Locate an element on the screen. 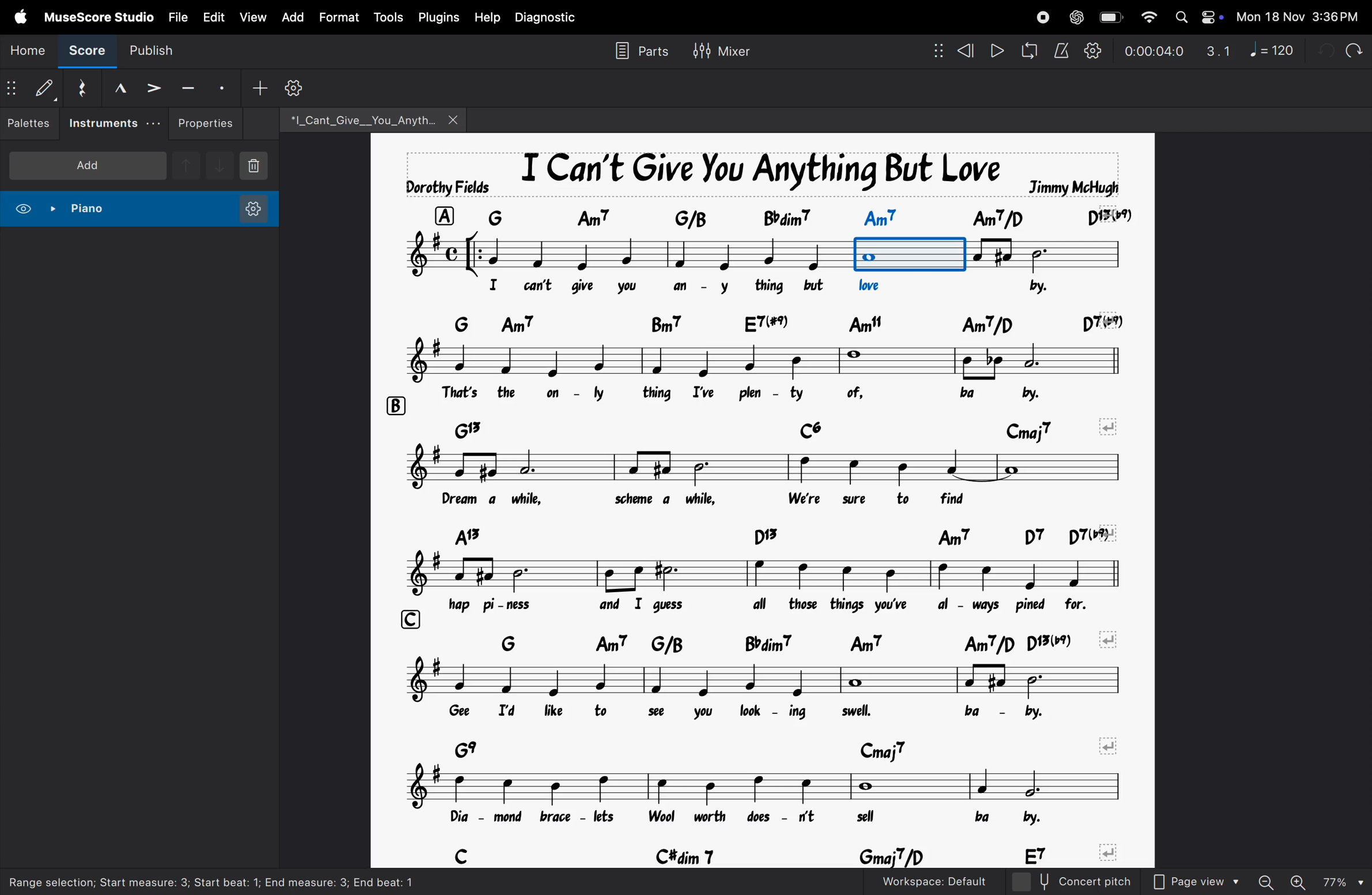 The image size is (1372, 895). plugins is located at coordinates (437, 17).